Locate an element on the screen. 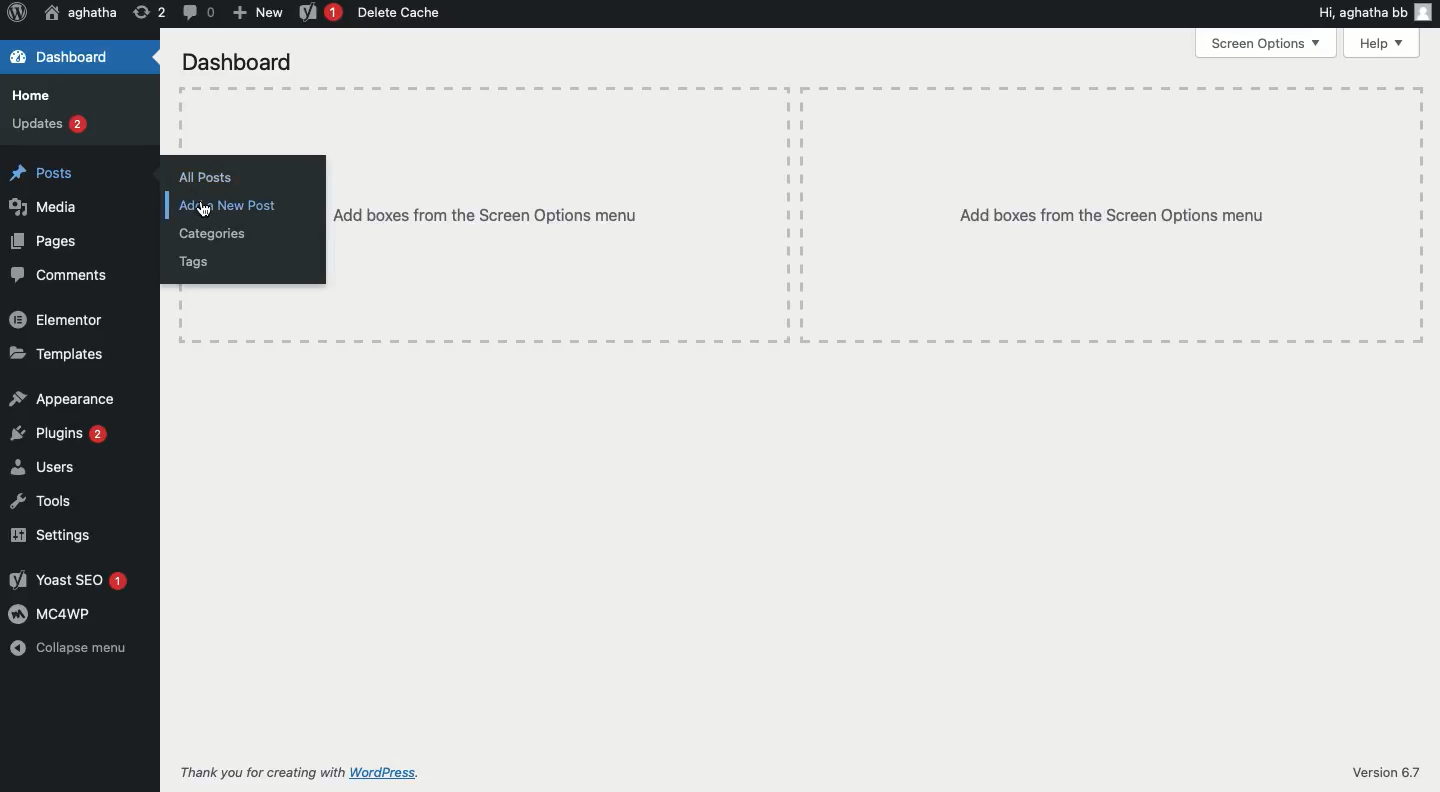  Add boxes from the Screen Options menu is located at coordinates (1110, 216).